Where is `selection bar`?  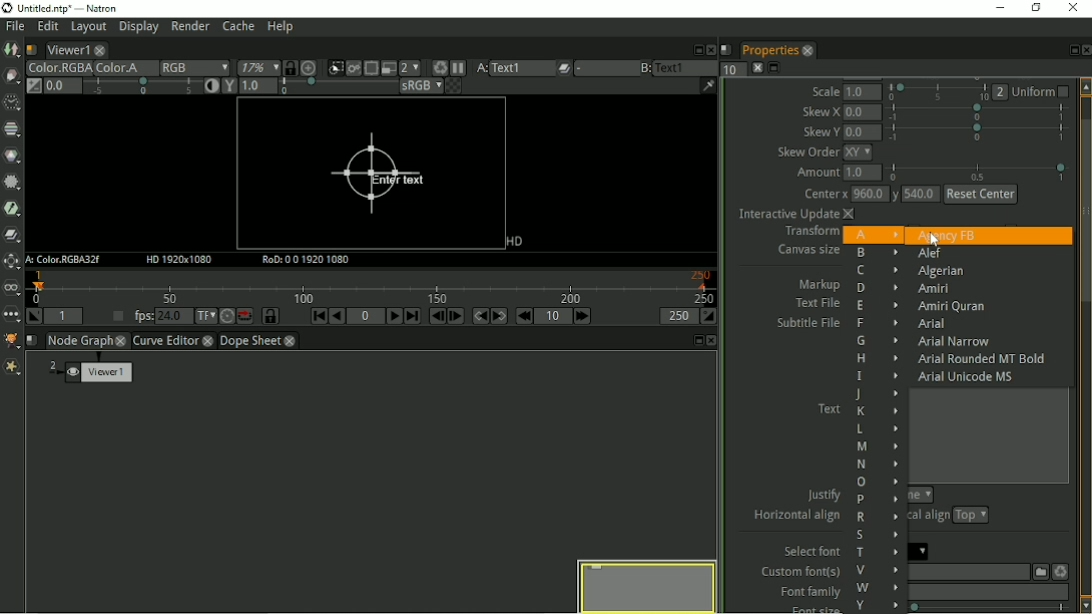
selection bar is located at coordinates (142, 86).